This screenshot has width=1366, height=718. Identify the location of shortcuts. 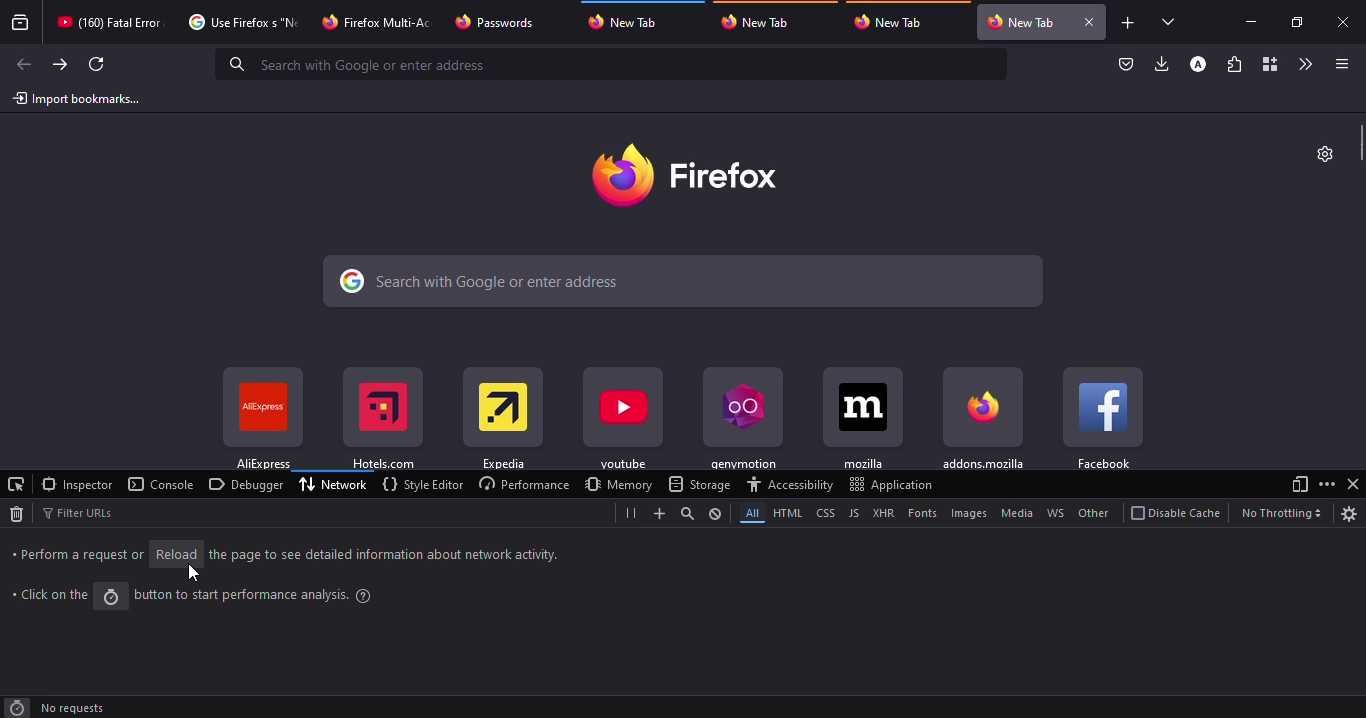
(742, 420).